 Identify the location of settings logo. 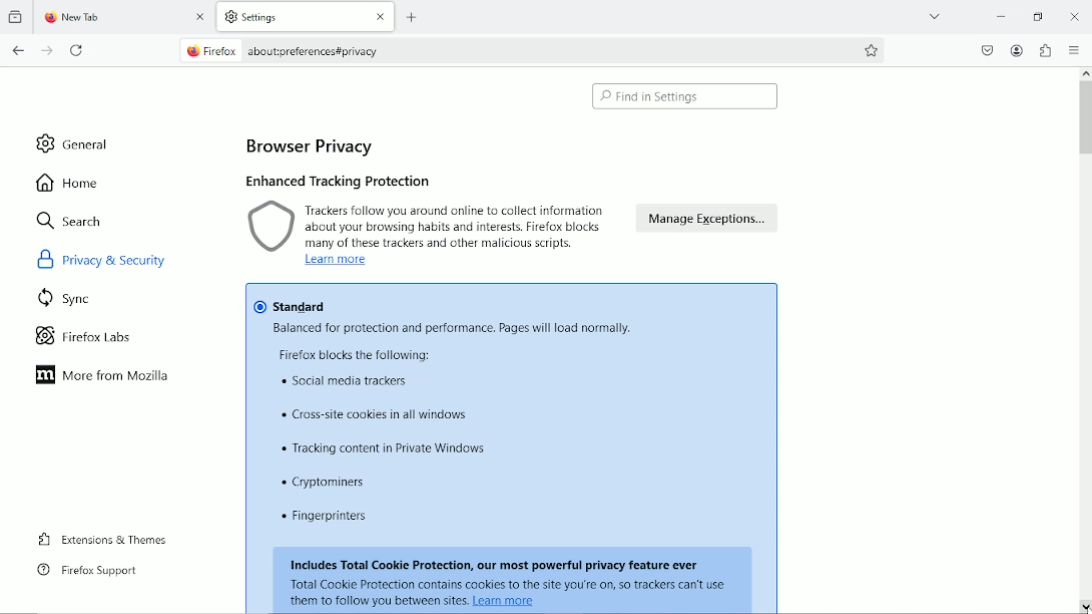
(230, 16).